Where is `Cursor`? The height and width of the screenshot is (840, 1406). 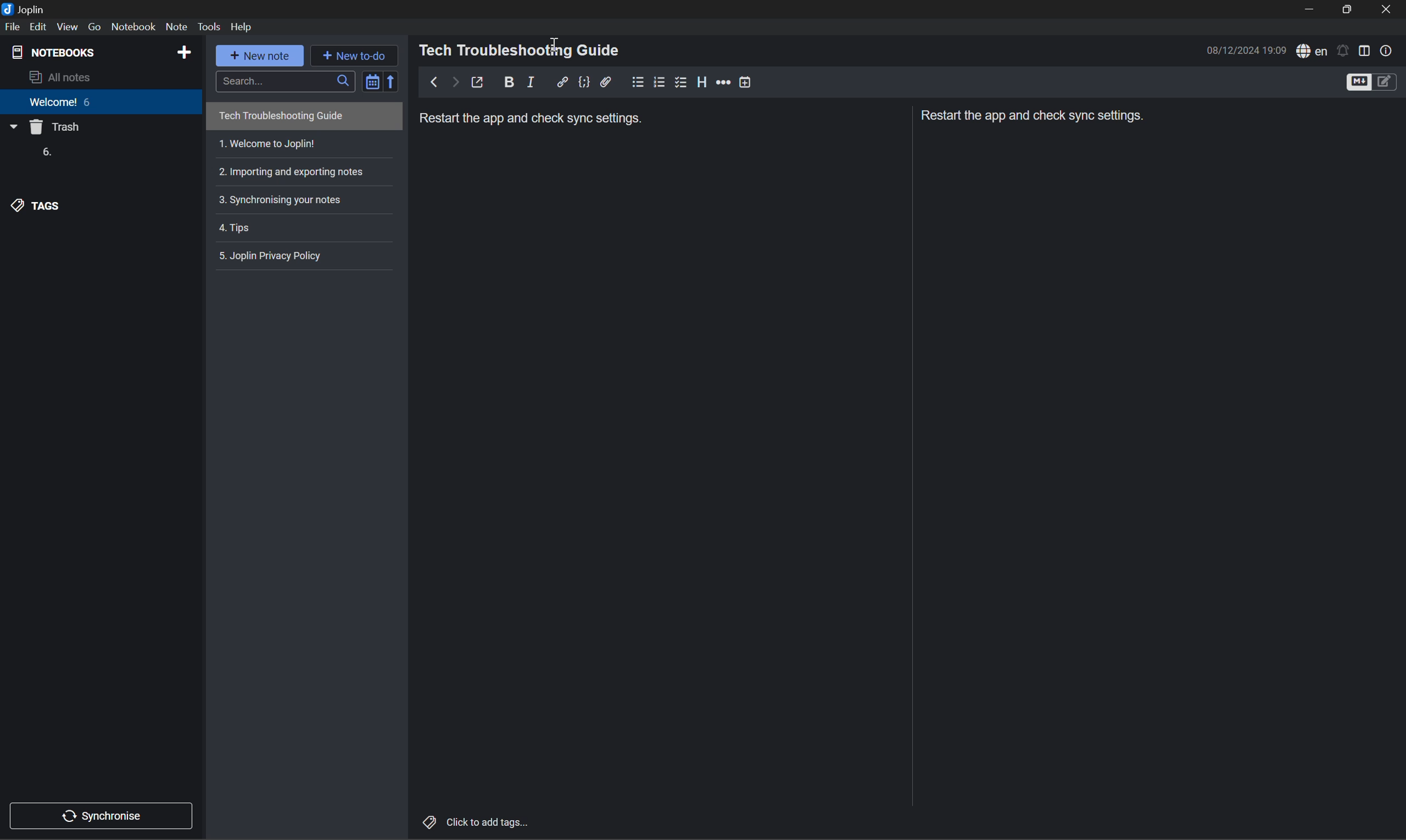
Cursor is located at coordinates (553, 44).